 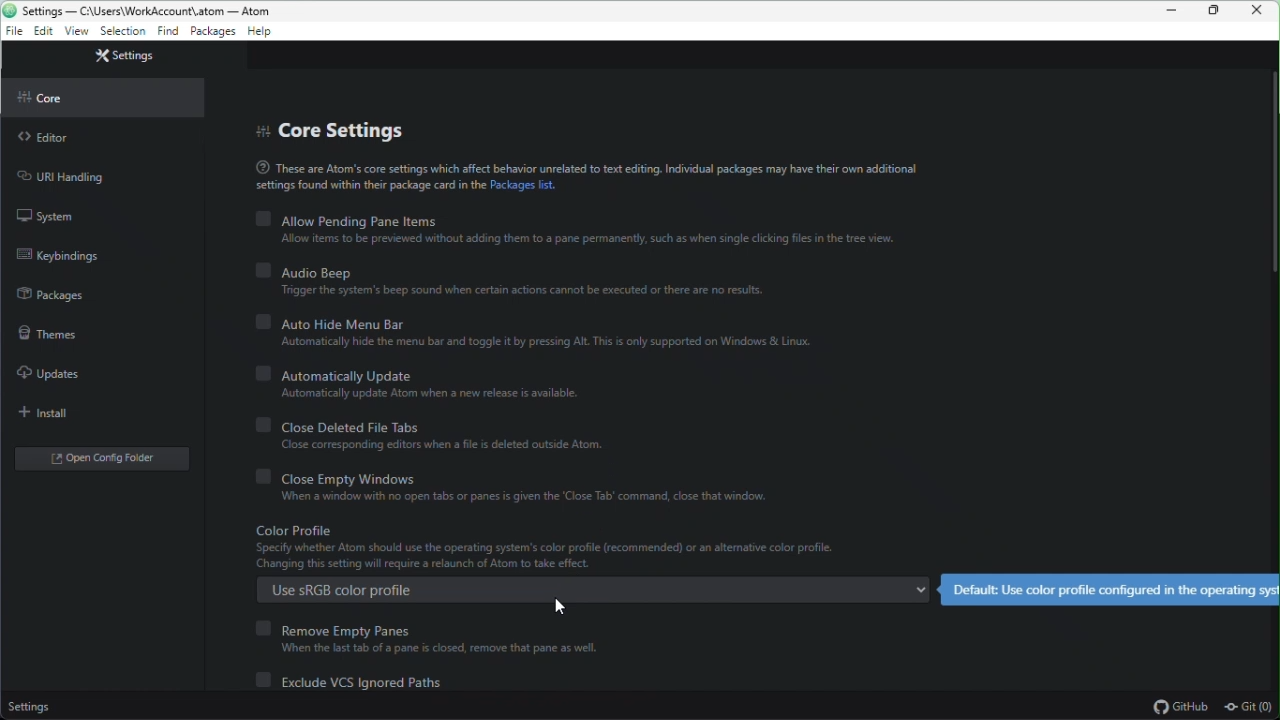 I want to click on Auto hide menu bar, so click(x=543, y=333).